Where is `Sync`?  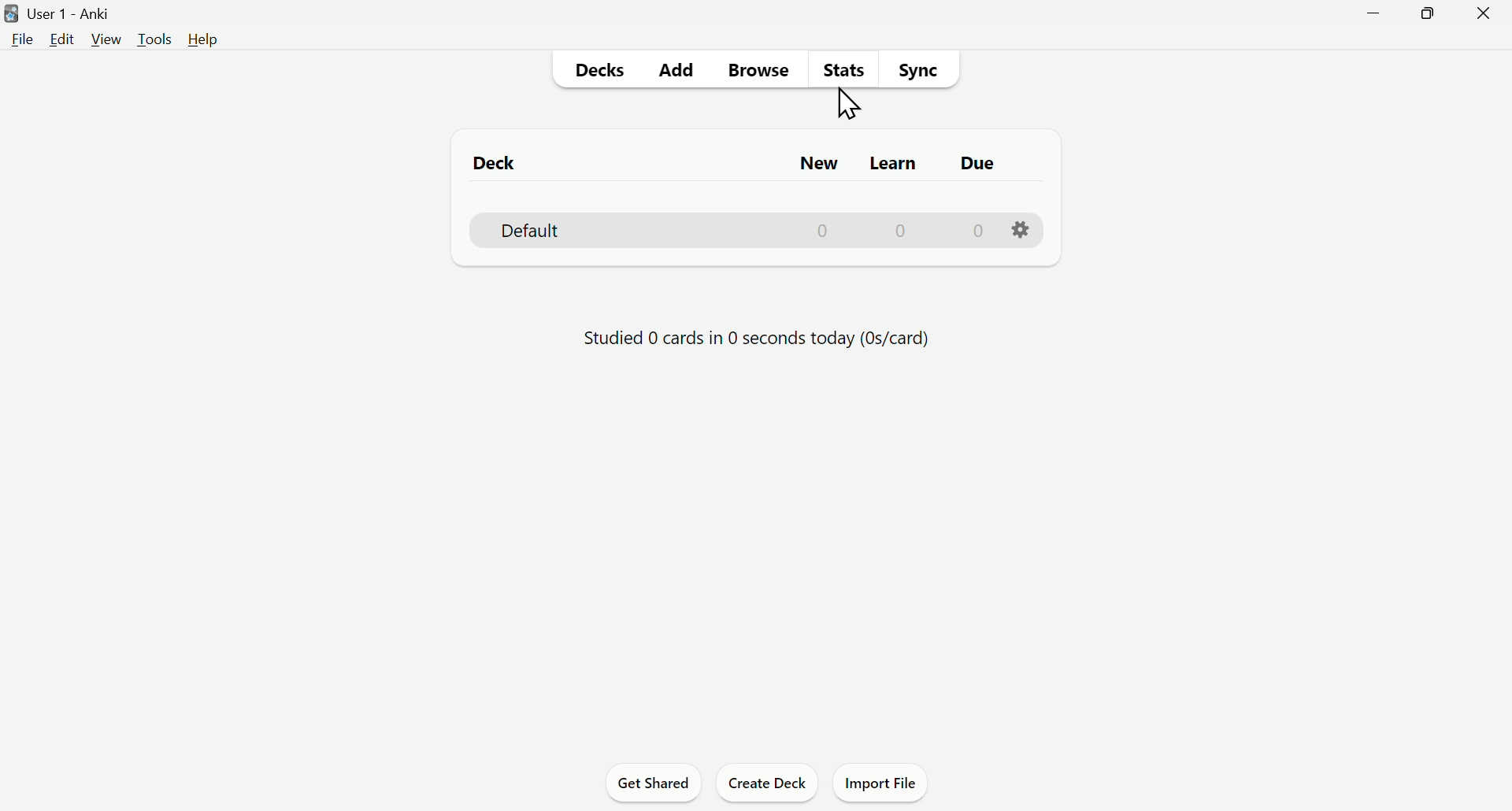
Sync is located at coordinates (926, 71).